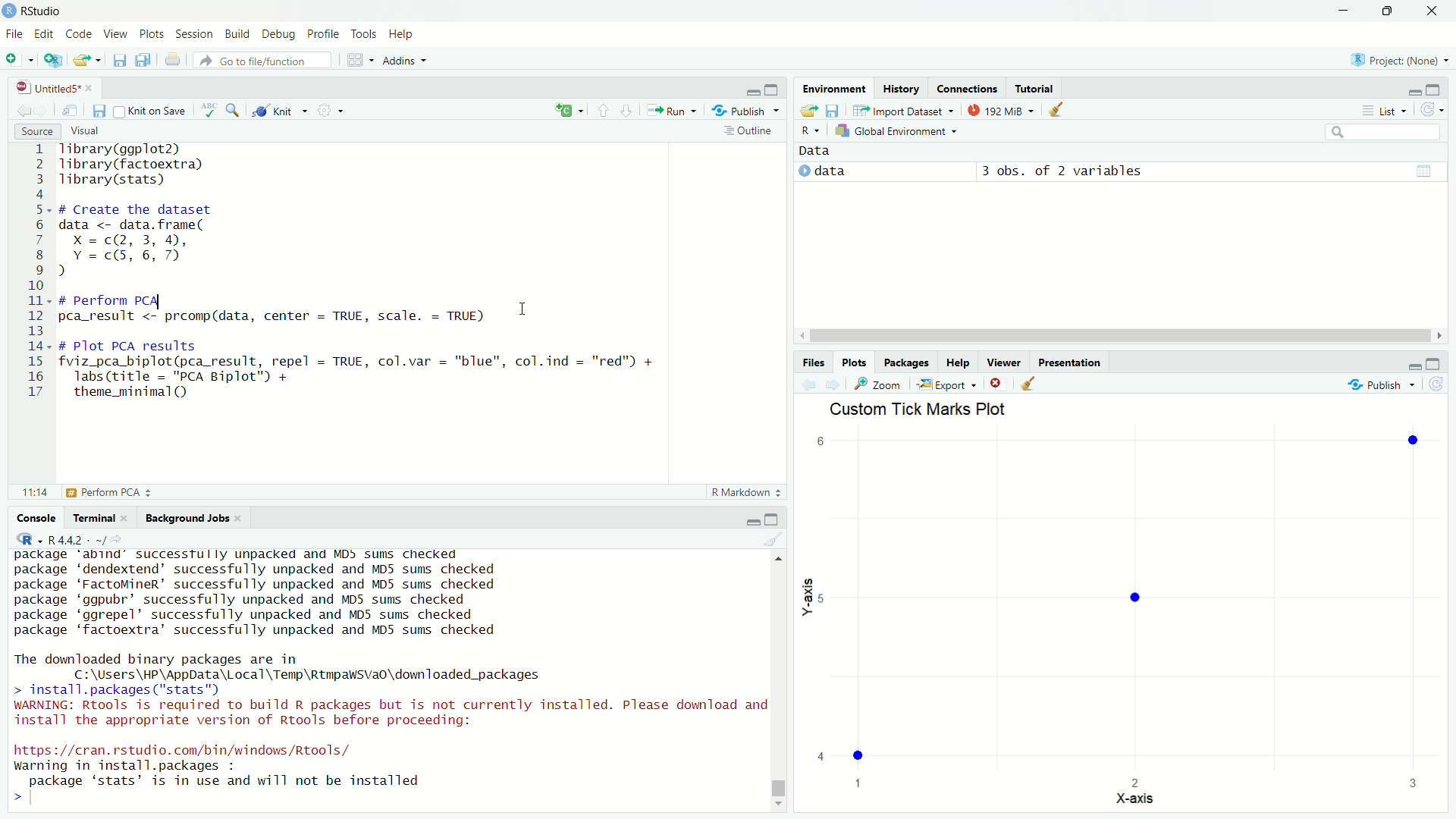  What do you see at coordinates (174, 60) in the screenshot?
I see `print the current file` at bounding box center [174, 60].